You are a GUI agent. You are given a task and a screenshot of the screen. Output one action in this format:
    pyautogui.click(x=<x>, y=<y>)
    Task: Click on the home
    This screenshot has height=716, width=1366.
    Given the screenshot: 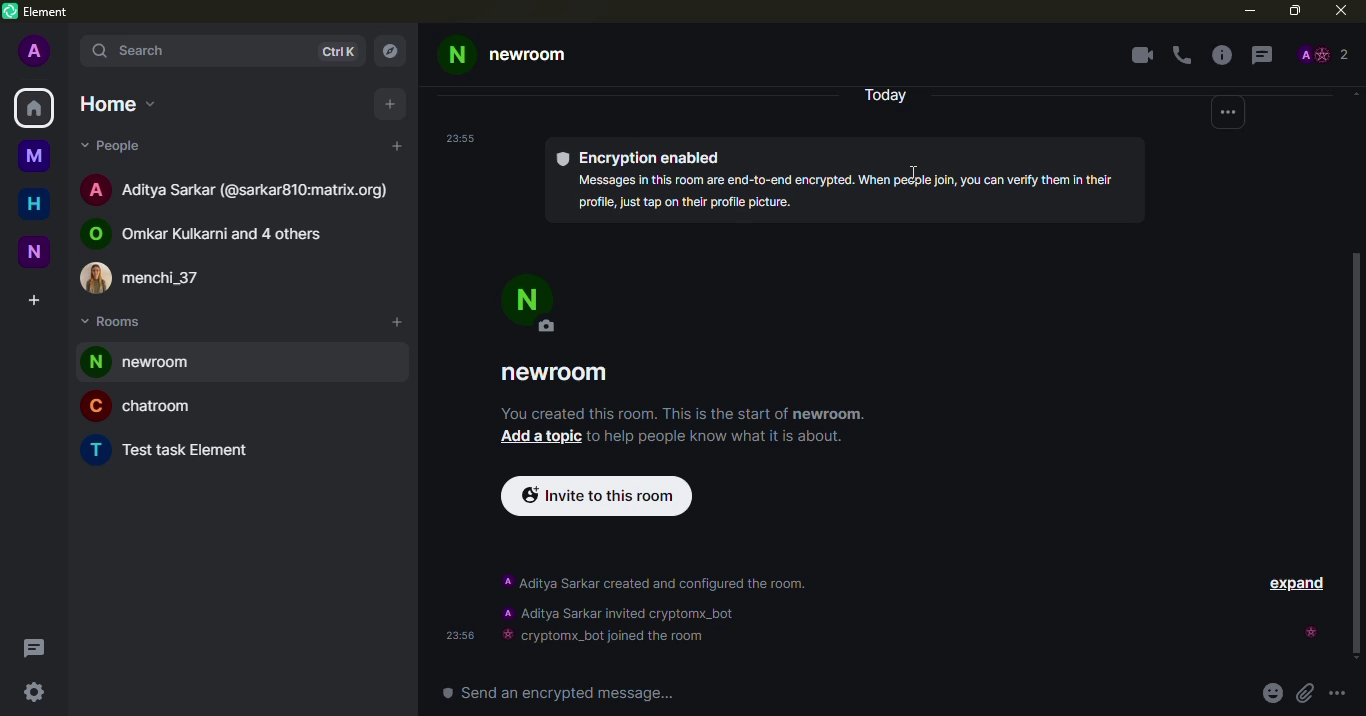 What is the action you would take?
    pyautogui.click(x=120, y=105)
    